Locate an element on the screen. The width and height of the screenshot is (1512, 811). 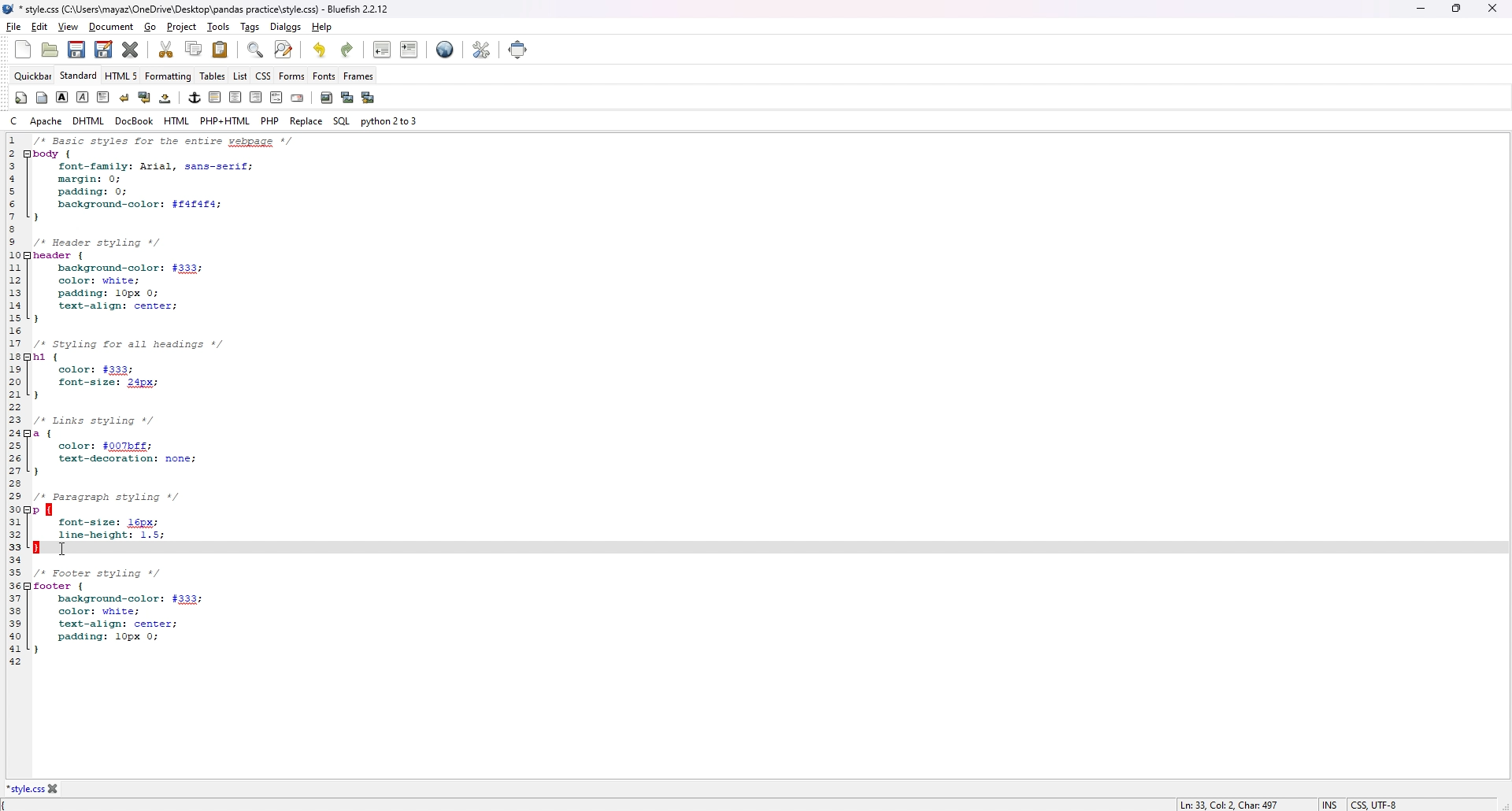
redo is located at coordinates (349, 50).